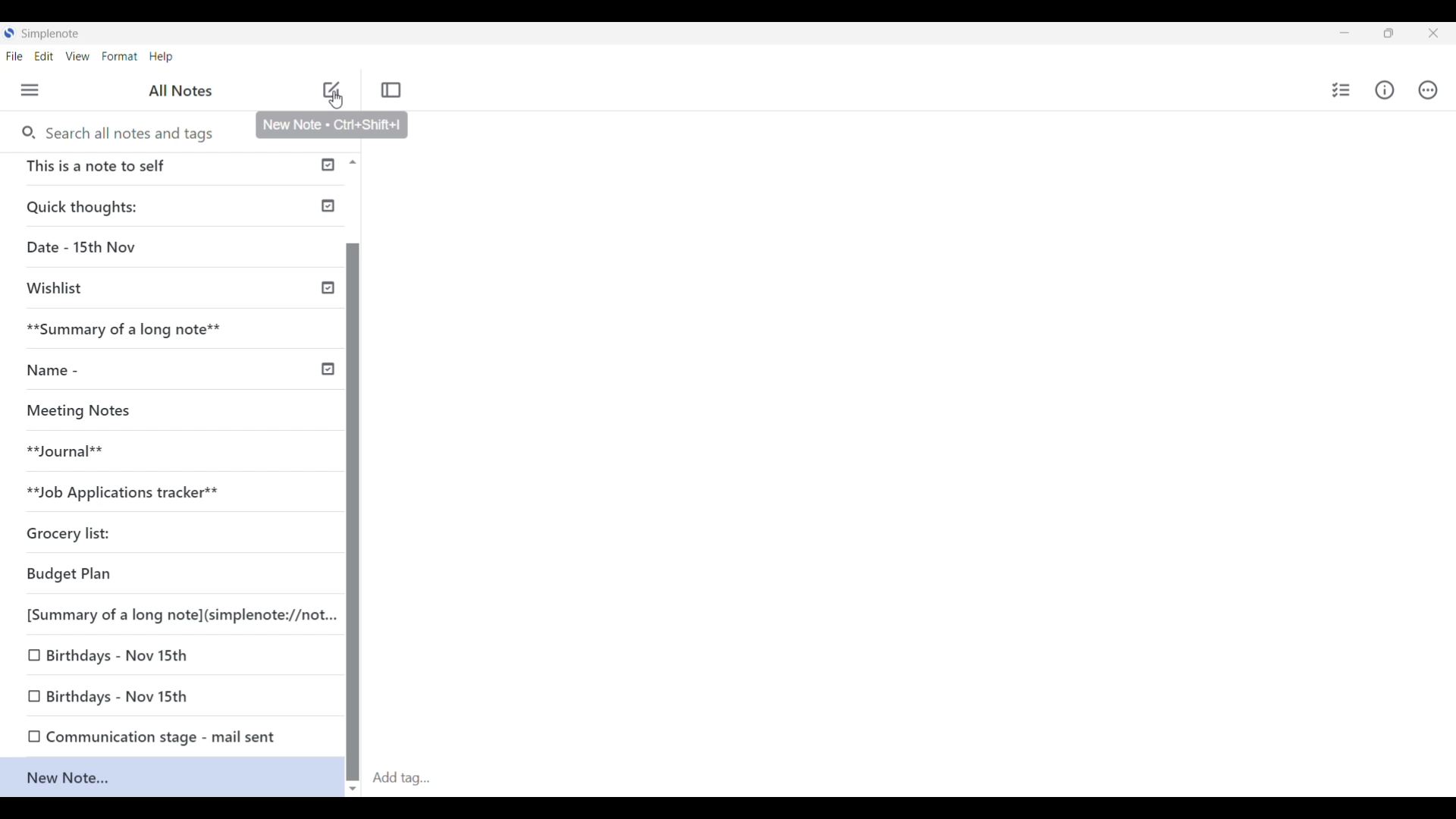  I want to click on **Journal**, so click(83, 450).